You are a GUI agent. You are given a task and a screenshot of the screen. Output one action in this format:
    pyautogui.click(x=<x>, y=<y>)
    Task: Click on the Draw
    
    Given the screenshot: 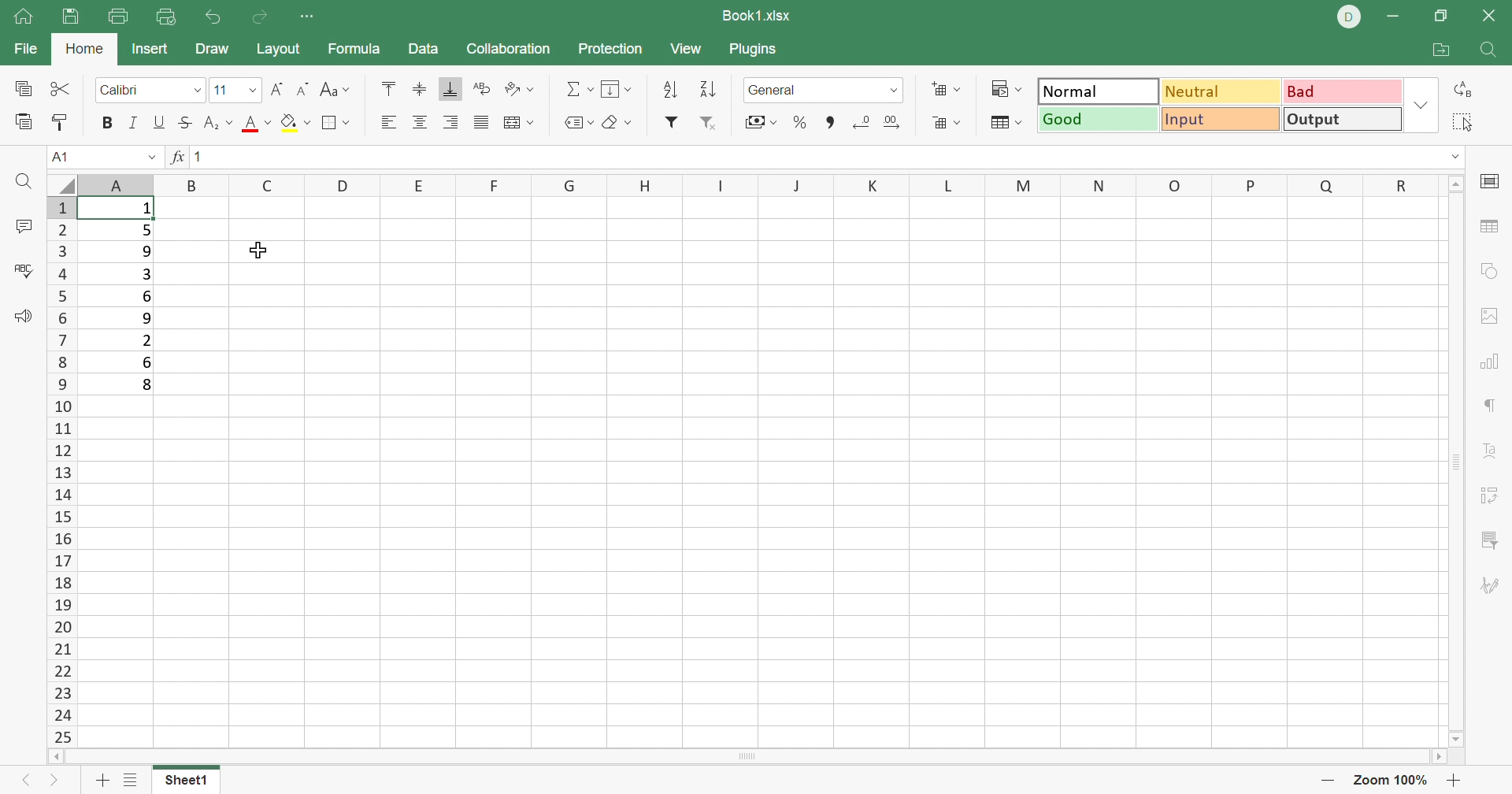 What is the action you would take?
    pyautogui.click(x=211, y=50)
    